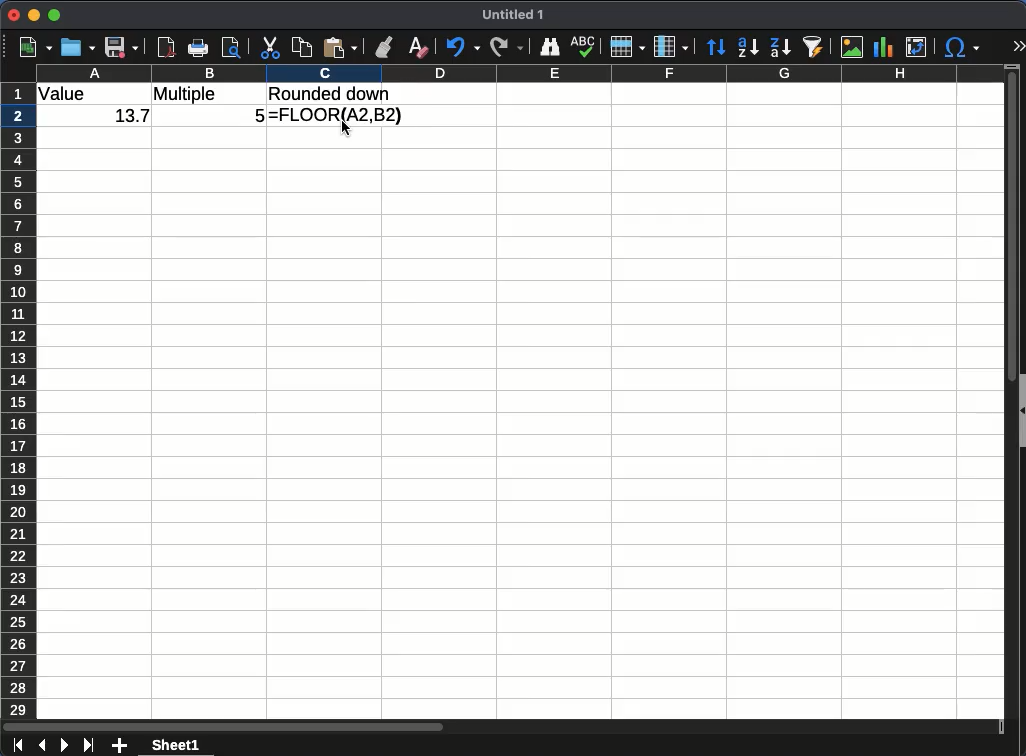 The height and width of the screenshot is (756, 1026). What do you see at coordinates (256, 113) in the screenshot?
I see `5` at bounding box center [256, 113].